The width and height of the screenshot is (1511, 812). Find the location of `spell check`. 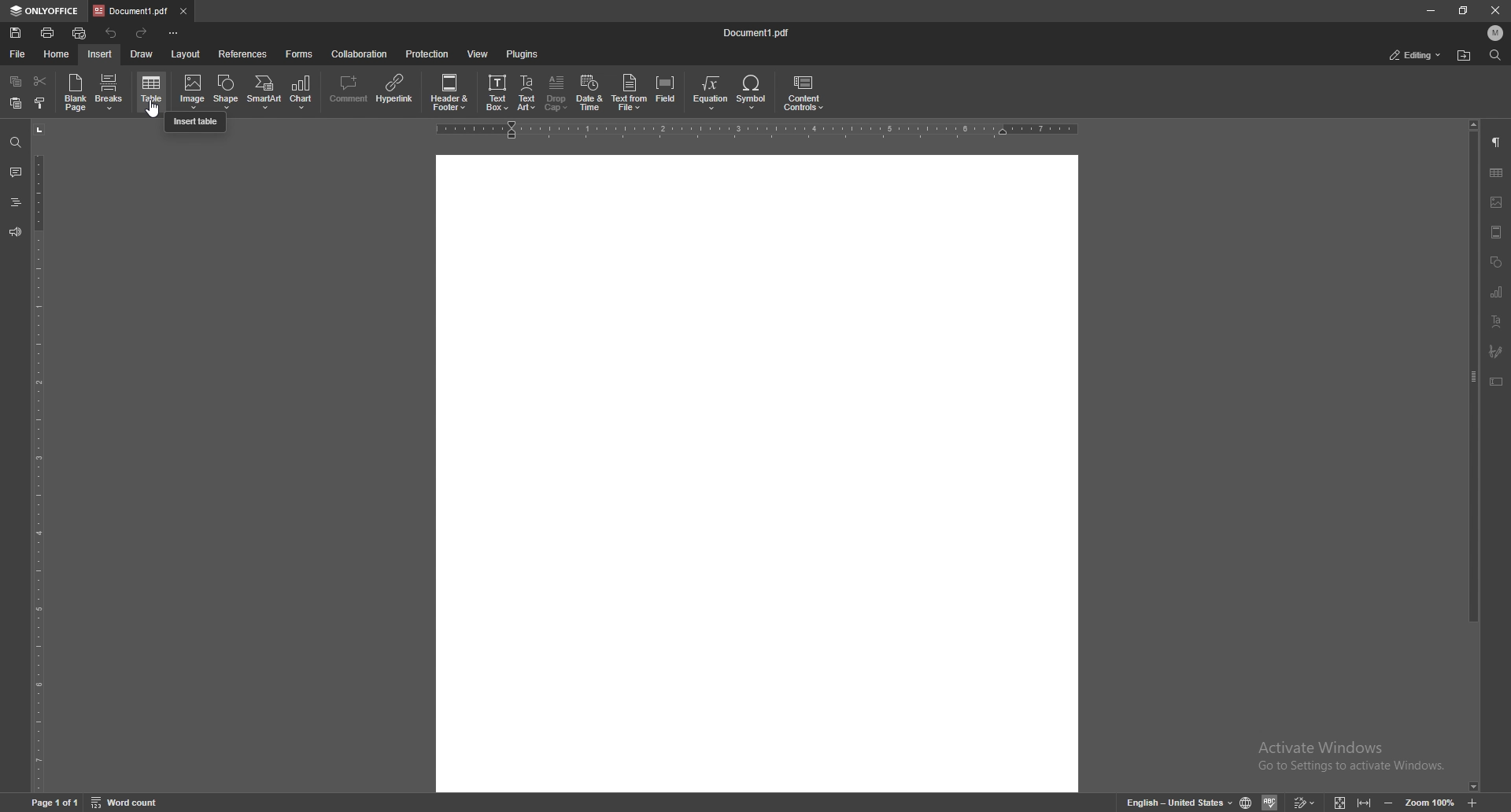

spell check is located at coordinates (1271, 802).